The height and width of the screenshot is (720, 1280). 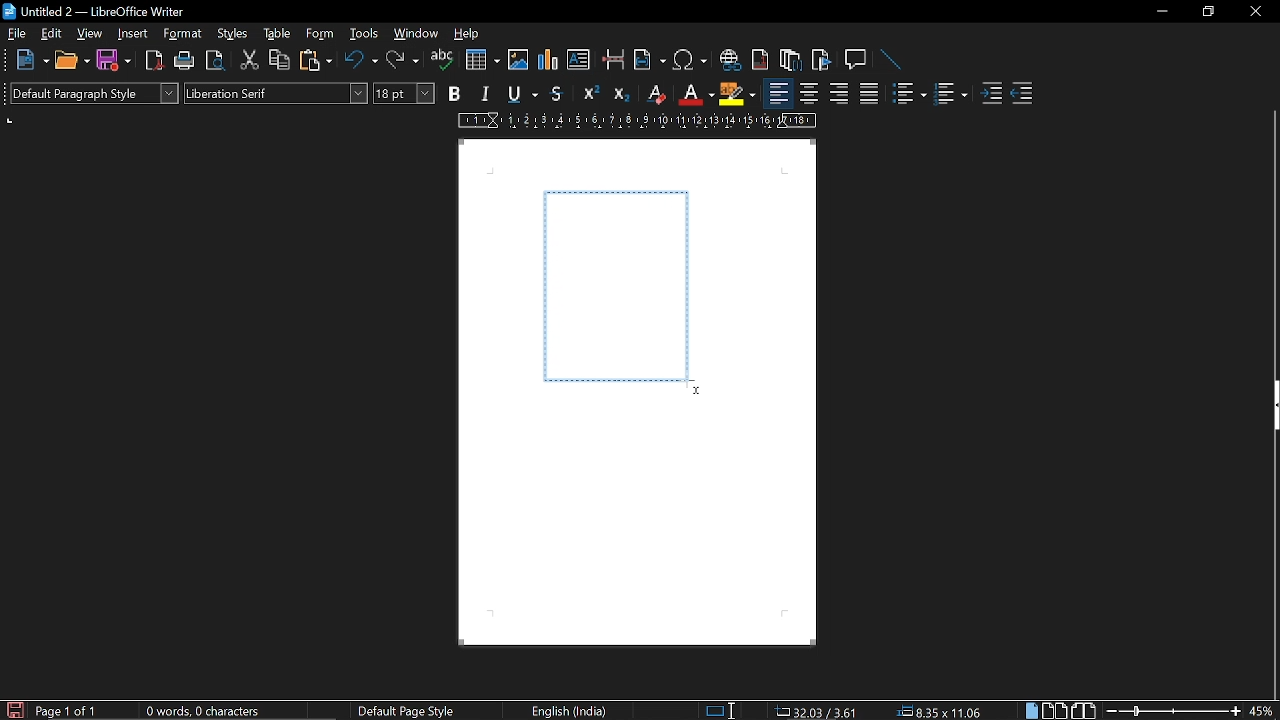 I want to click on open, so click(x=72, y=61).